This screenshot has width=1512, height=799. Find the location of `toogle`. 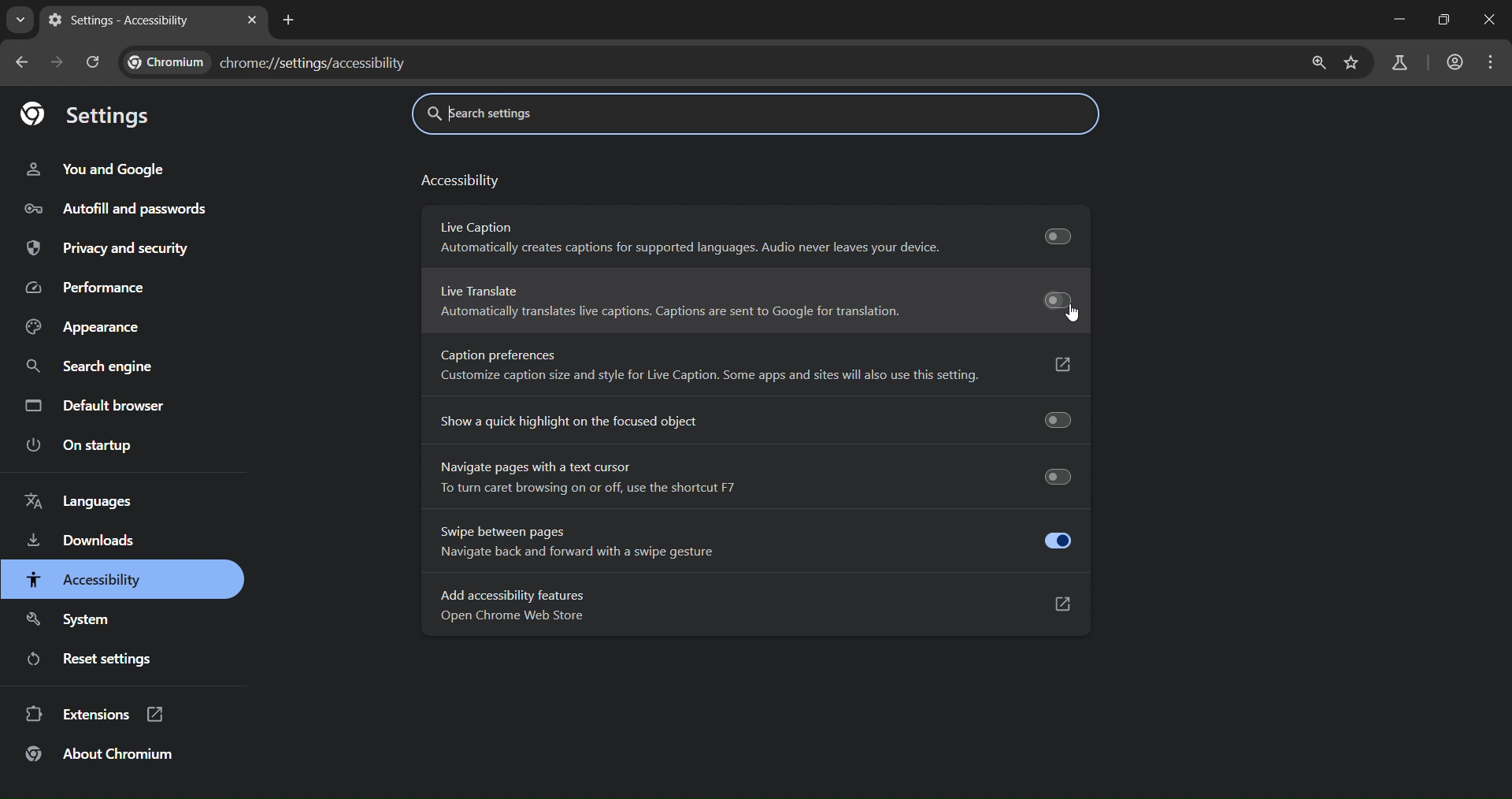

toogle is located at coordinates (1051, 421).